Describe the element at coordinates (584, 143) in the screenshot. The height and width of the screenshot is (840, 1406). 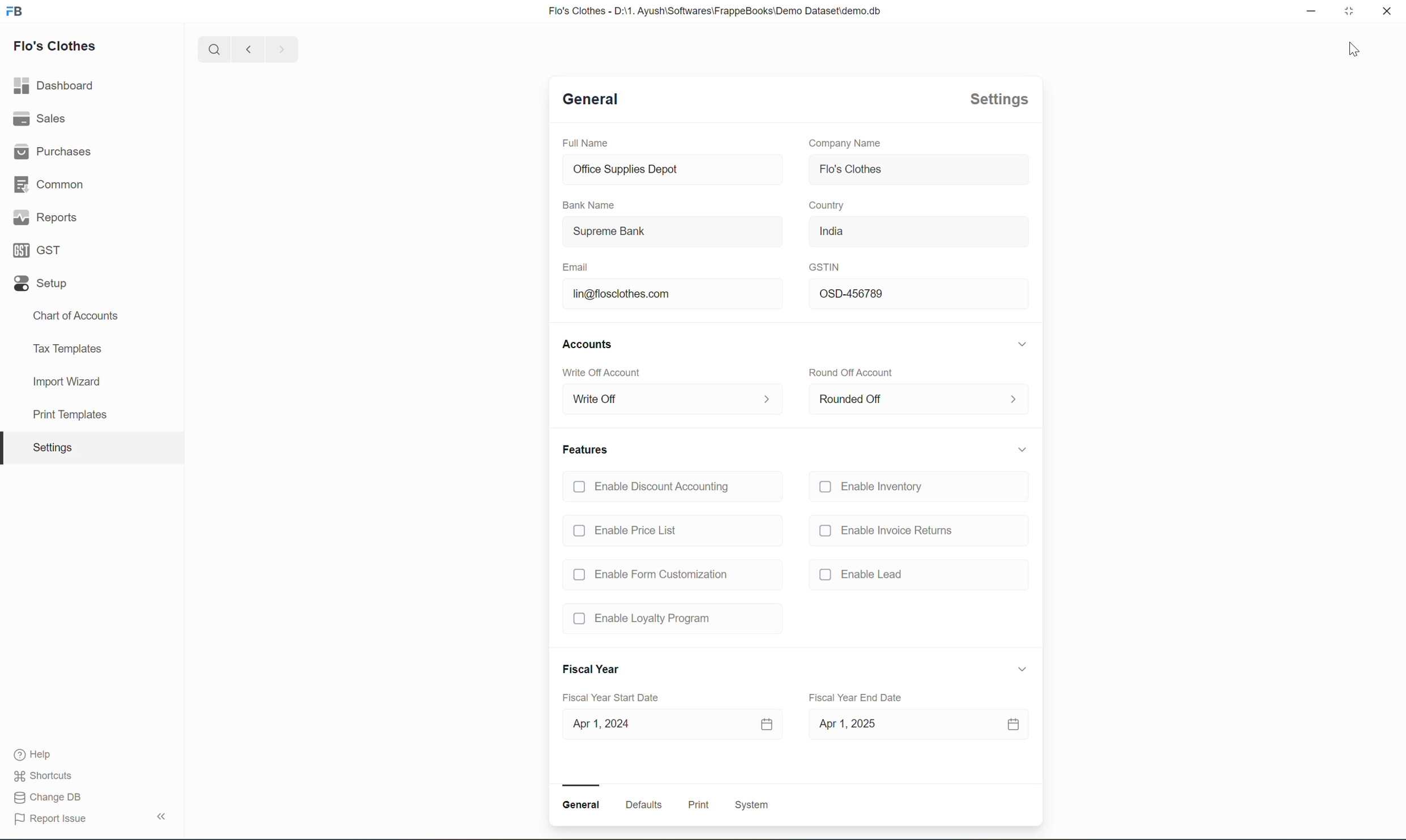
I see `Full Name` at that location.